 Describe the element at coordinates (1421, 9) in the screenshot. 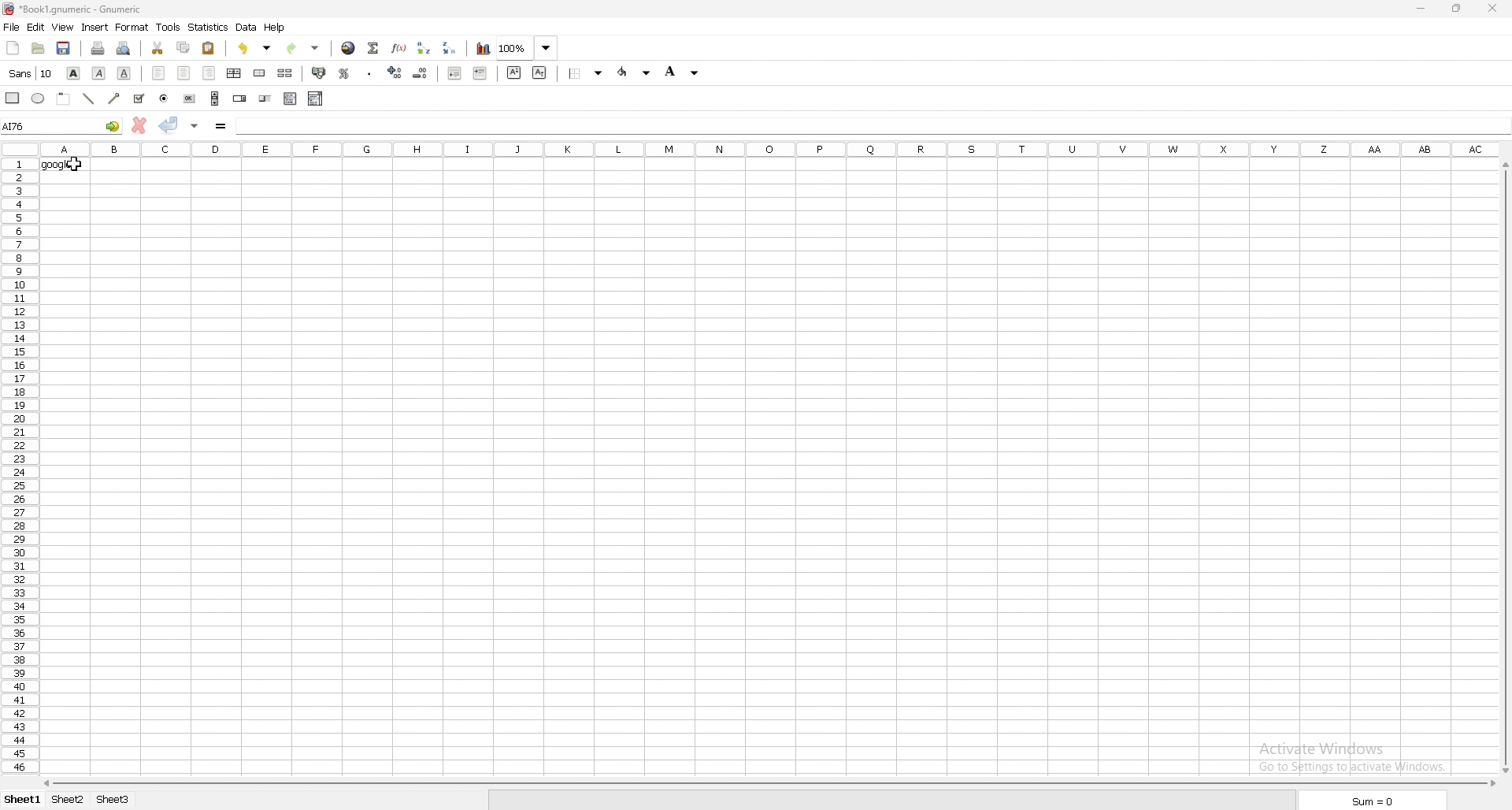

I see `minimize` at that location.